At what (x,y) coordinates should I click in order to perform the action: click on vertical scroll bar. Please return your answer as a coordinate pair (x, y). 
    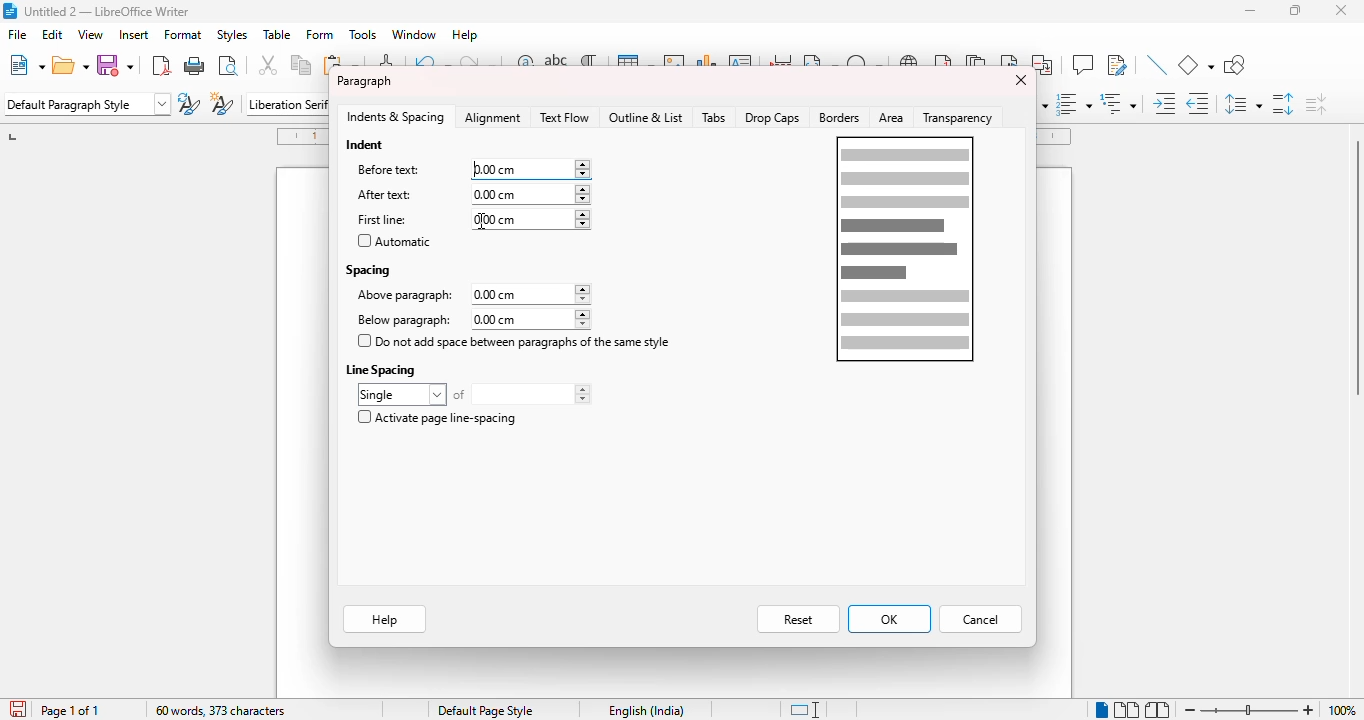
    Looking at the image, I should click on (1355, 267).